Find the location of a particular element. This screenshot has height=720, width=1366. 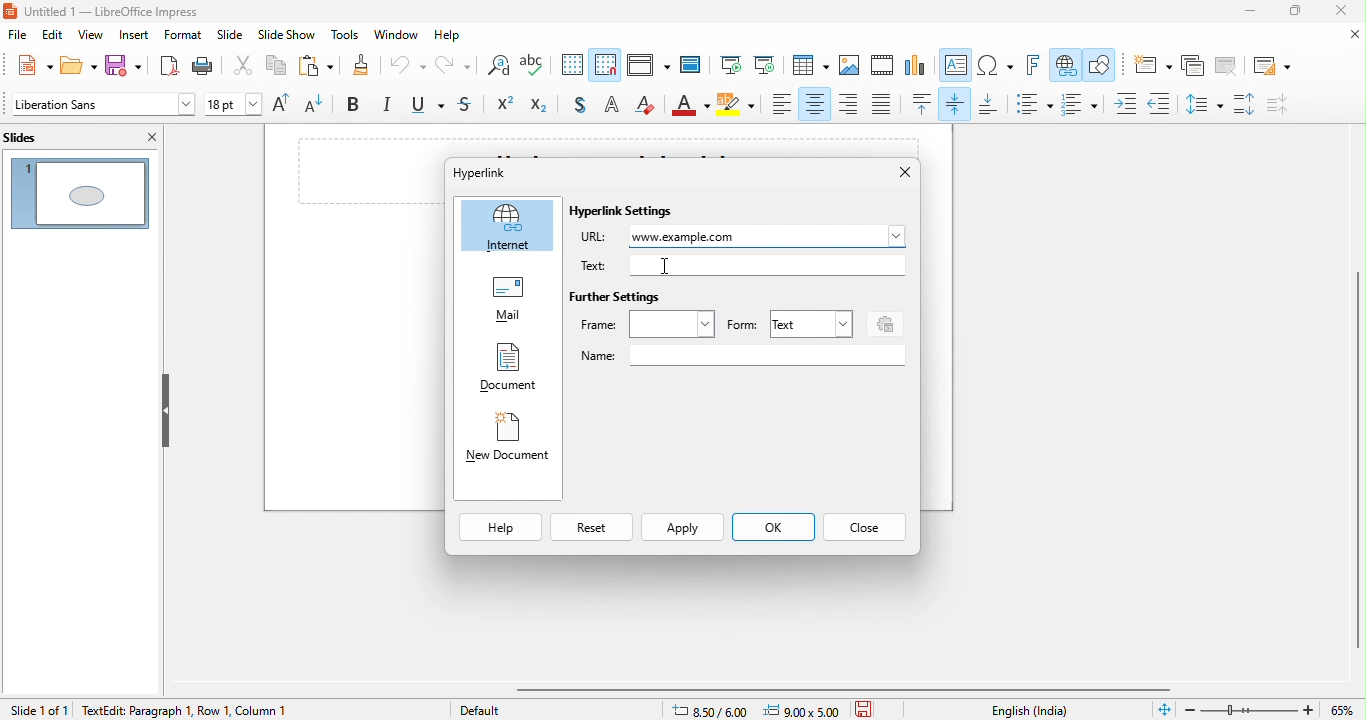

justified is located at coordinates (883, 105).